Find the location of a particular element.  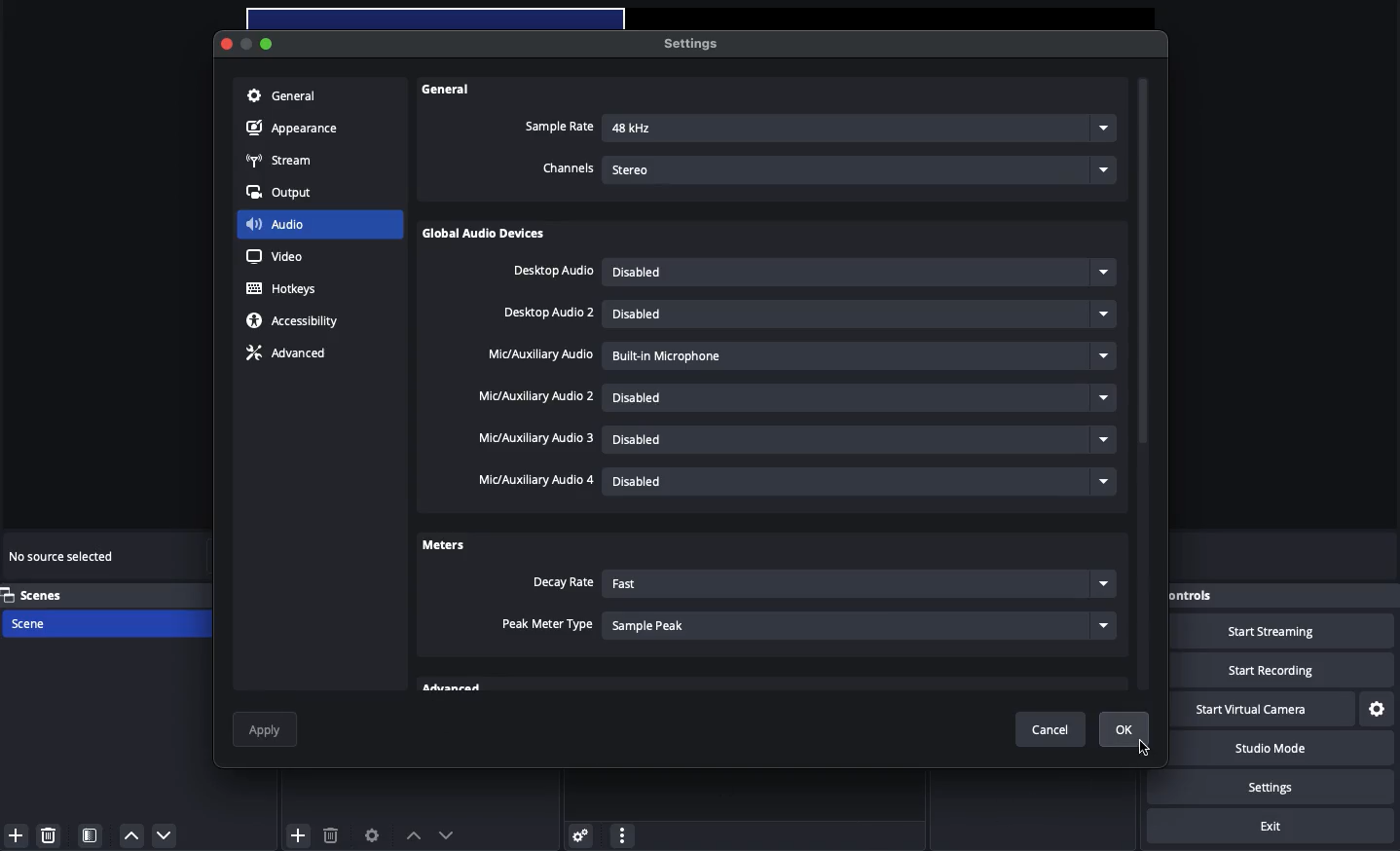

Move up is located at coordinates (413, 835).